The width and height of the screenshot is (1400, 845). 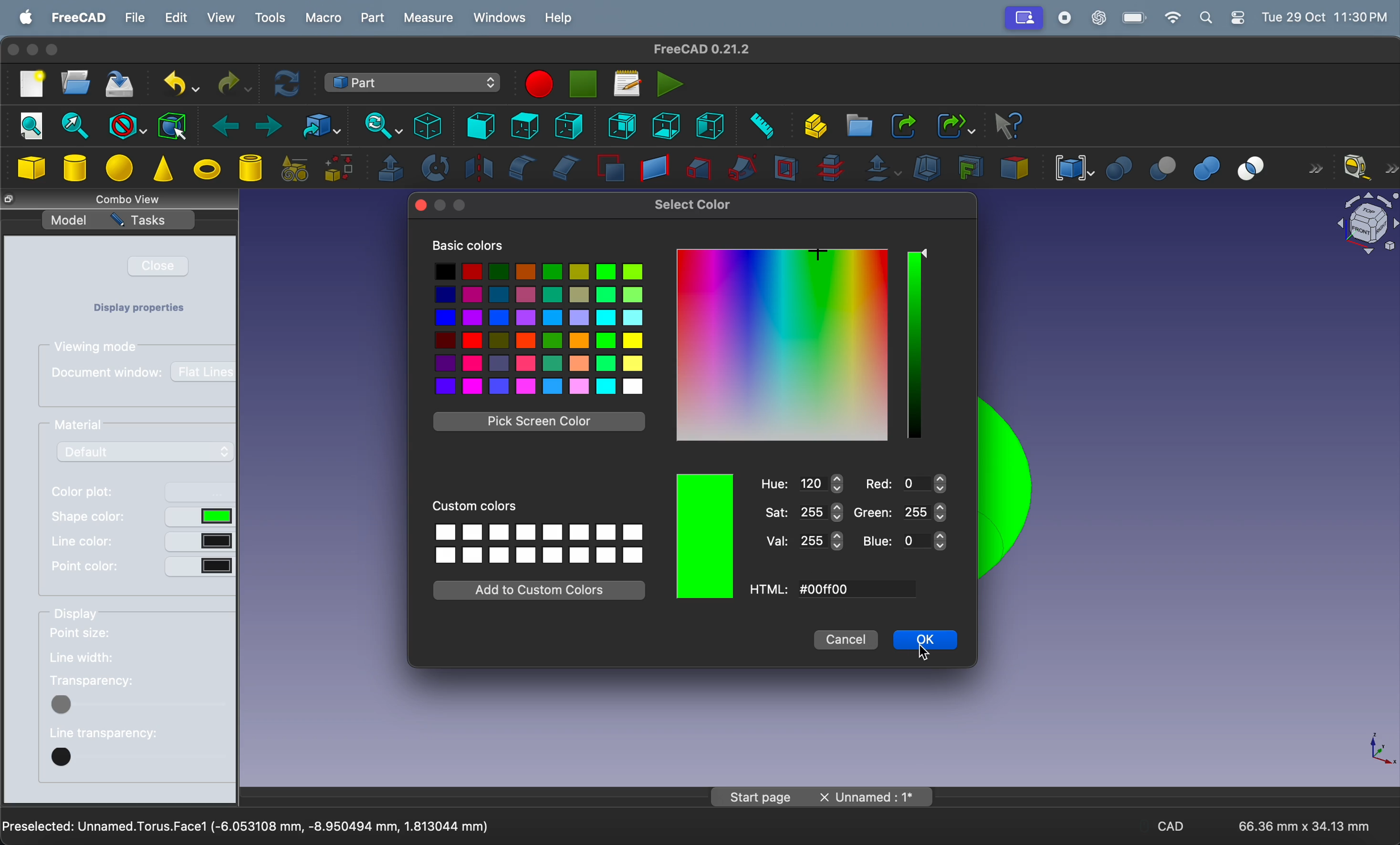 I want to click on minimize, so click(x=440, y=205).